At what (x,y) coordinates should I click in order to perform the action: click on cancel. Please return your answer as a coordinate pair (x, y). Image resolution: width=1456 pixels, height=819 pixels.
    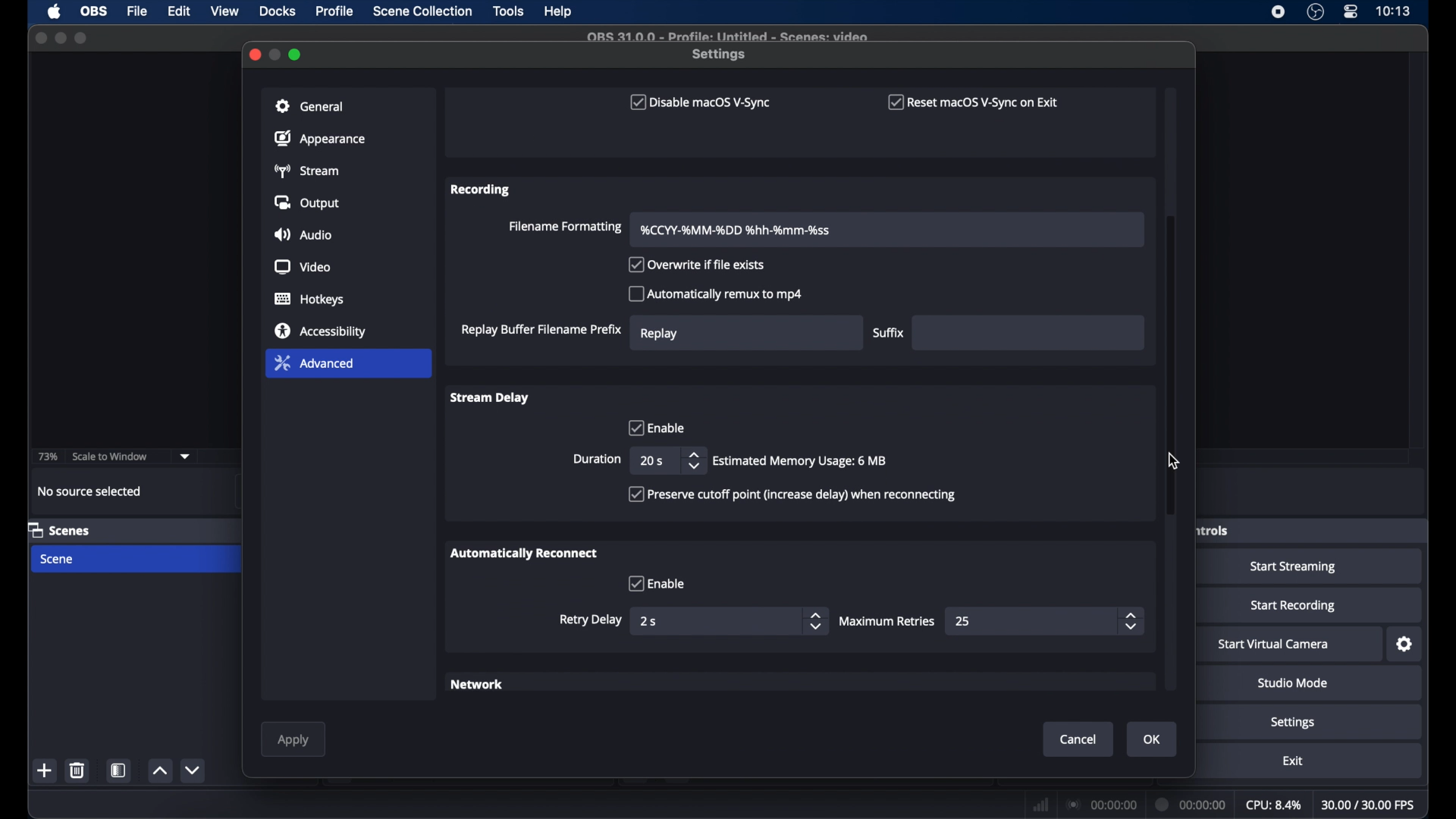
    Looking at the image, I should click on (1080, 739).